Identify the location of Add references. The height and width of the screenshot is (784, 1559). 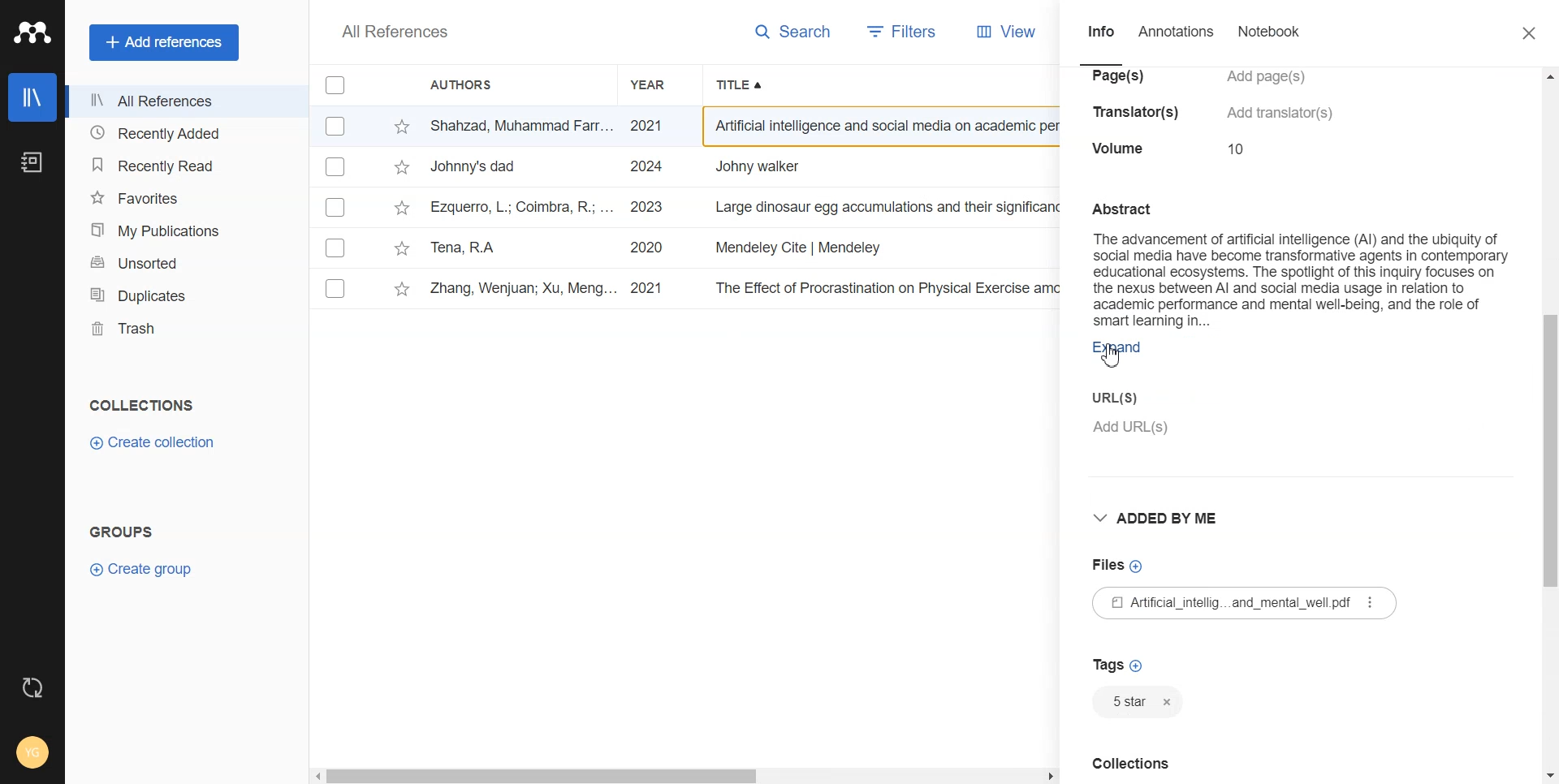
(166, 43).